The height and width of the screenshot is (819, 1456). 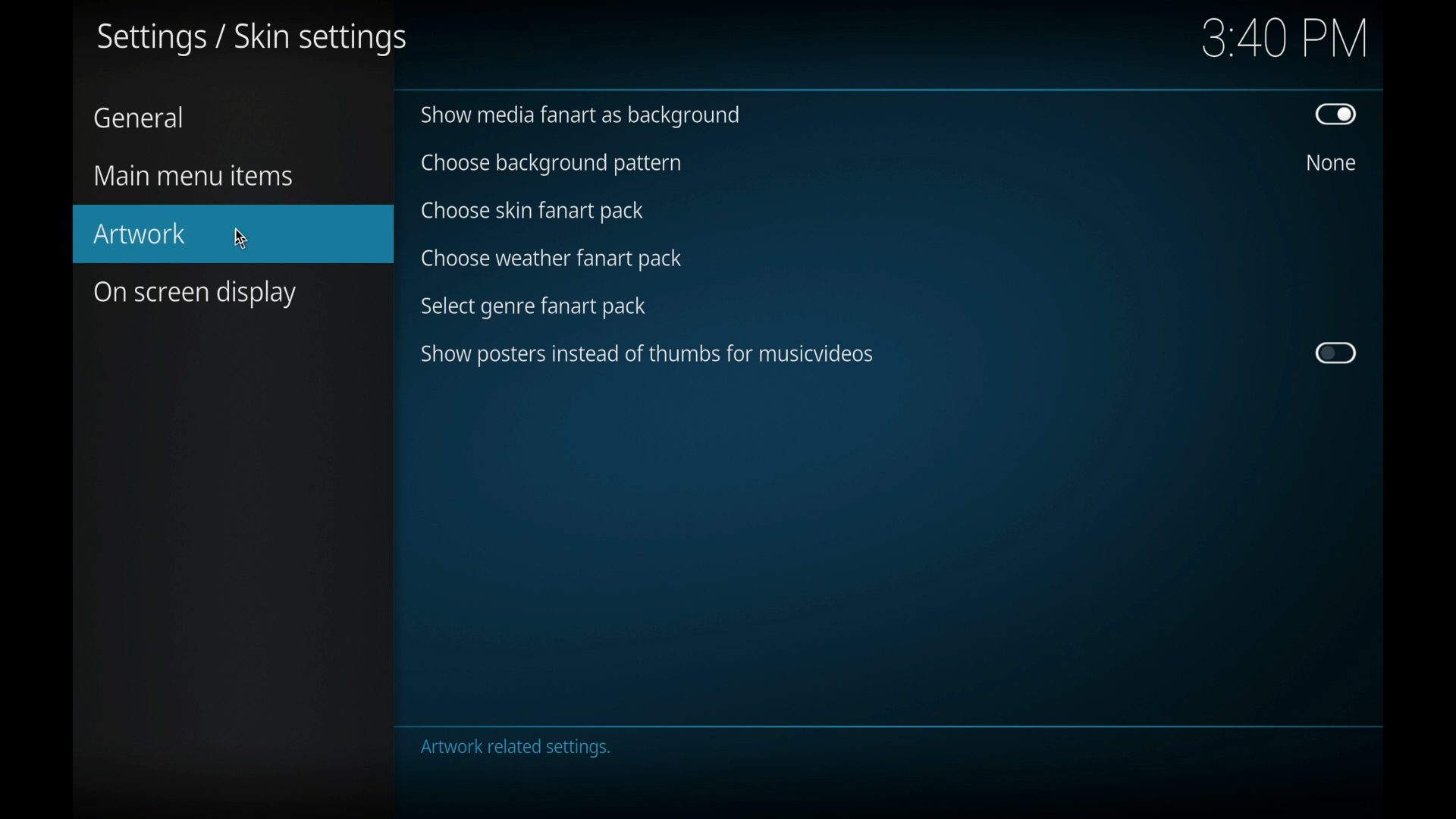 I want to click on show posters, so click(x=647, y=355).